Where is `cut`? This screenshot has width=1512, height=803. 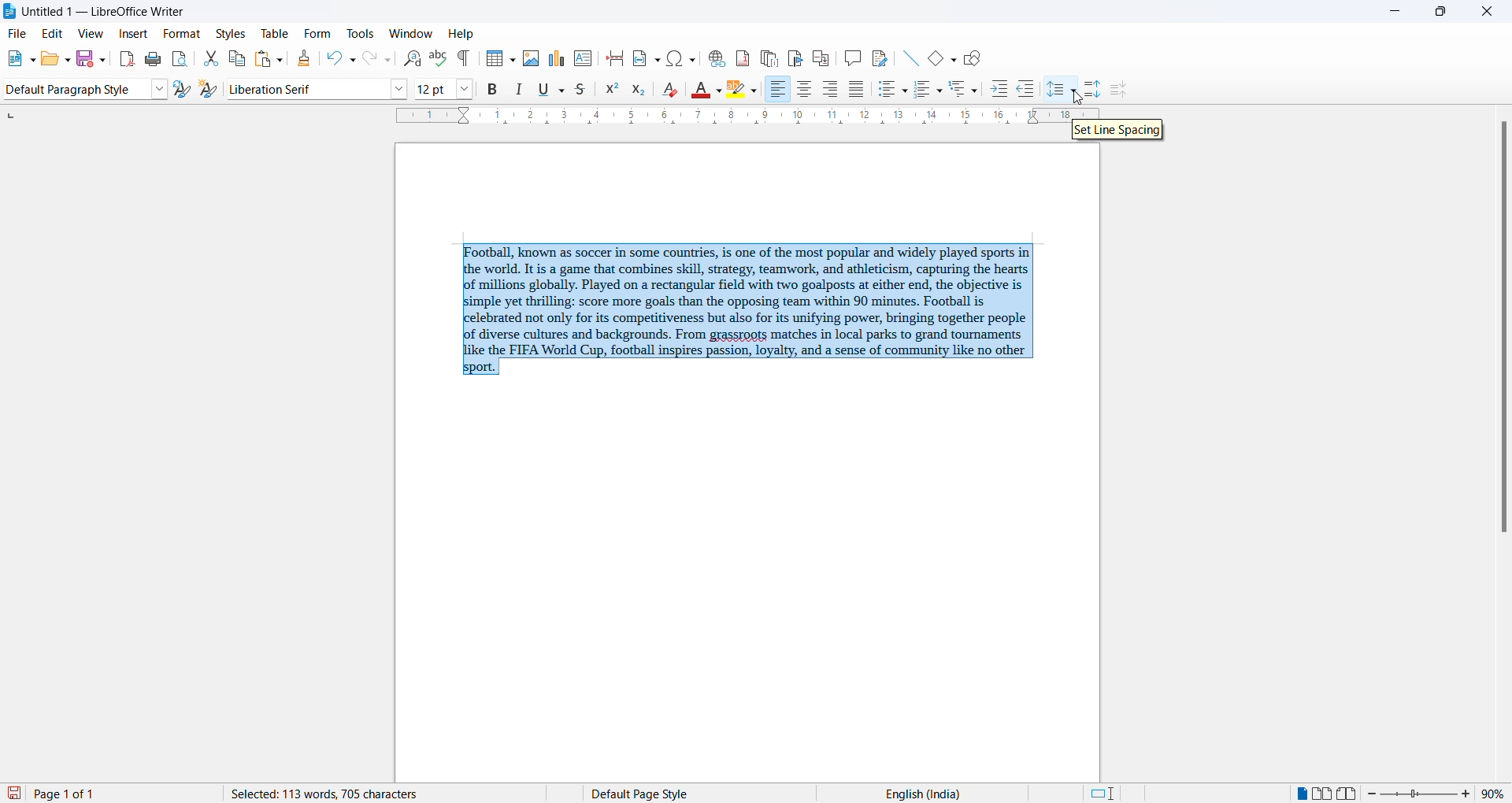
cut is located at coordinates (209, 56).